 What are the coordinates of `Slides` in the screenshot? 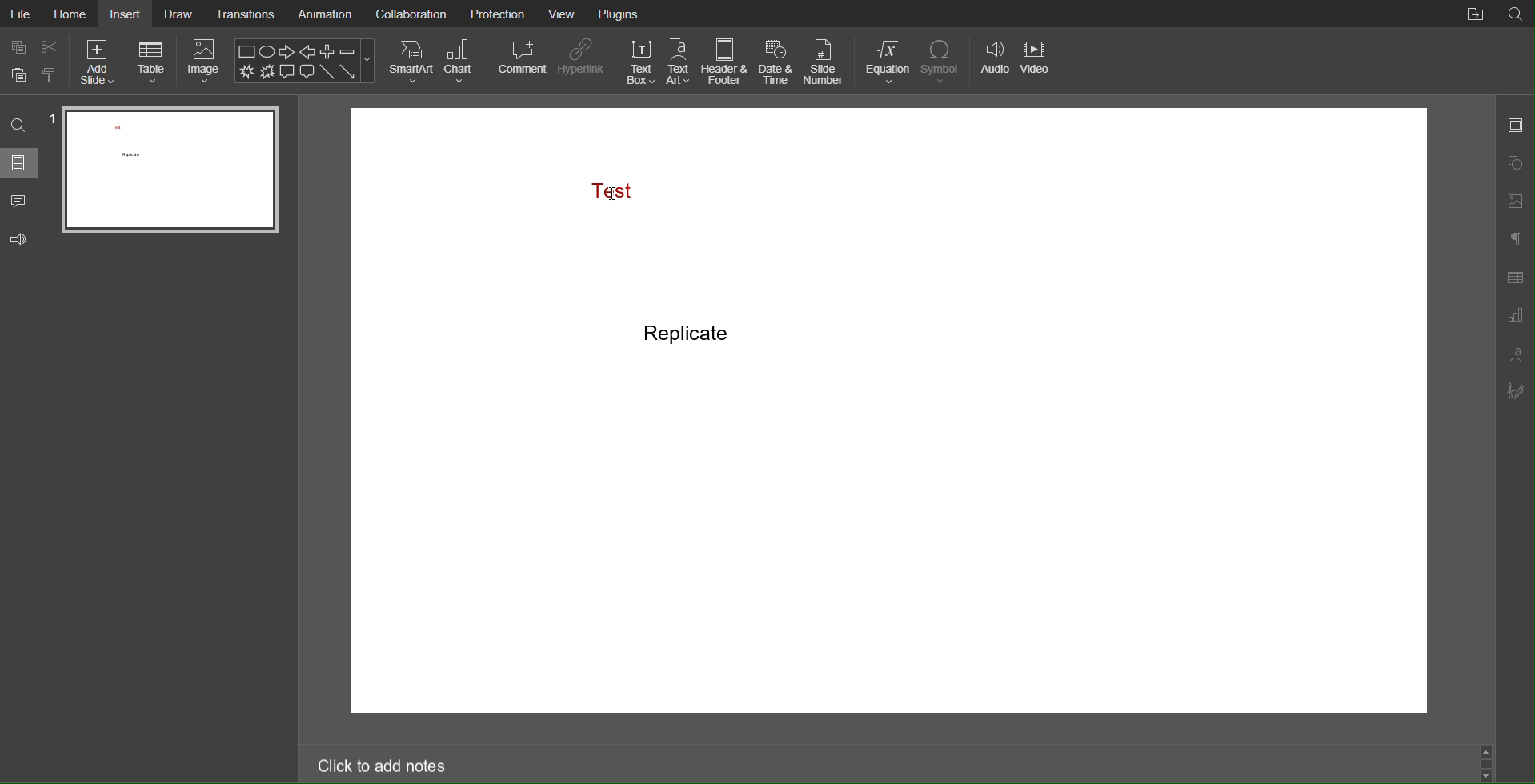 It's located at (21, 165).